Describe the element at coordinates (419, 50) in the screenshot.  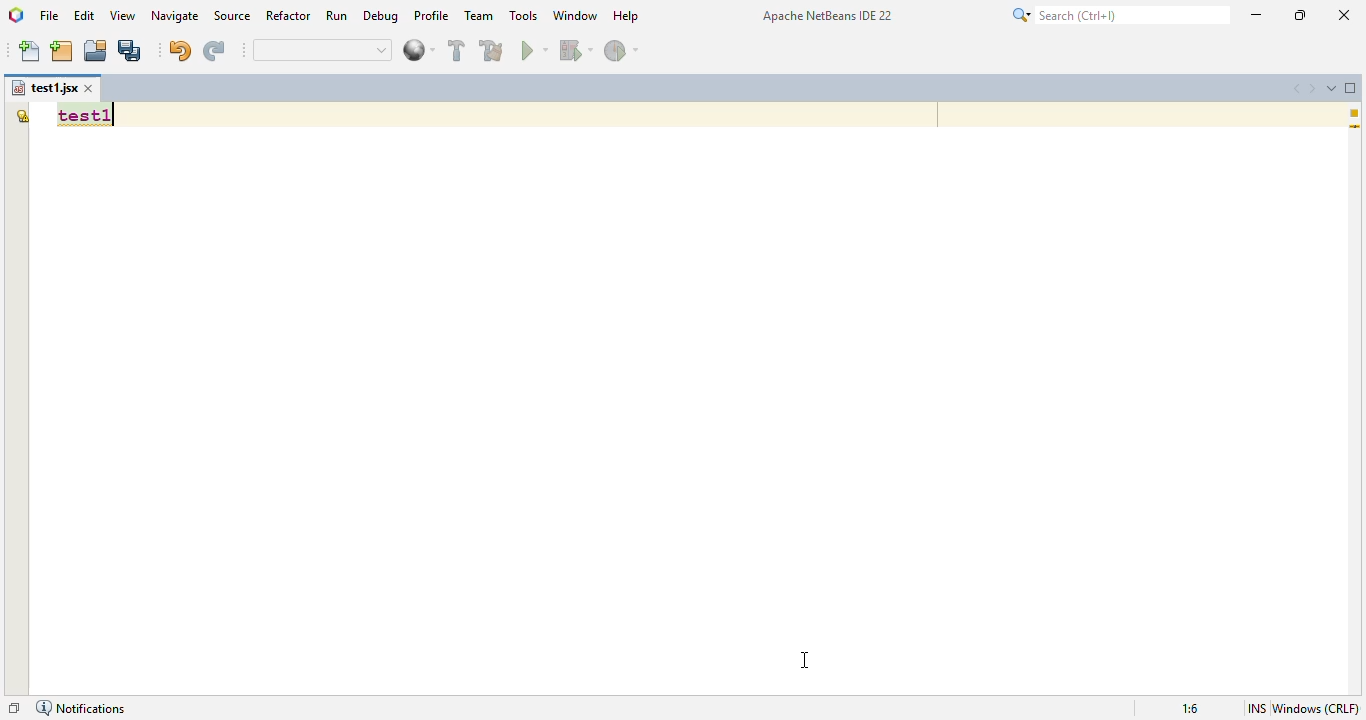
I see `web browser` at that location.